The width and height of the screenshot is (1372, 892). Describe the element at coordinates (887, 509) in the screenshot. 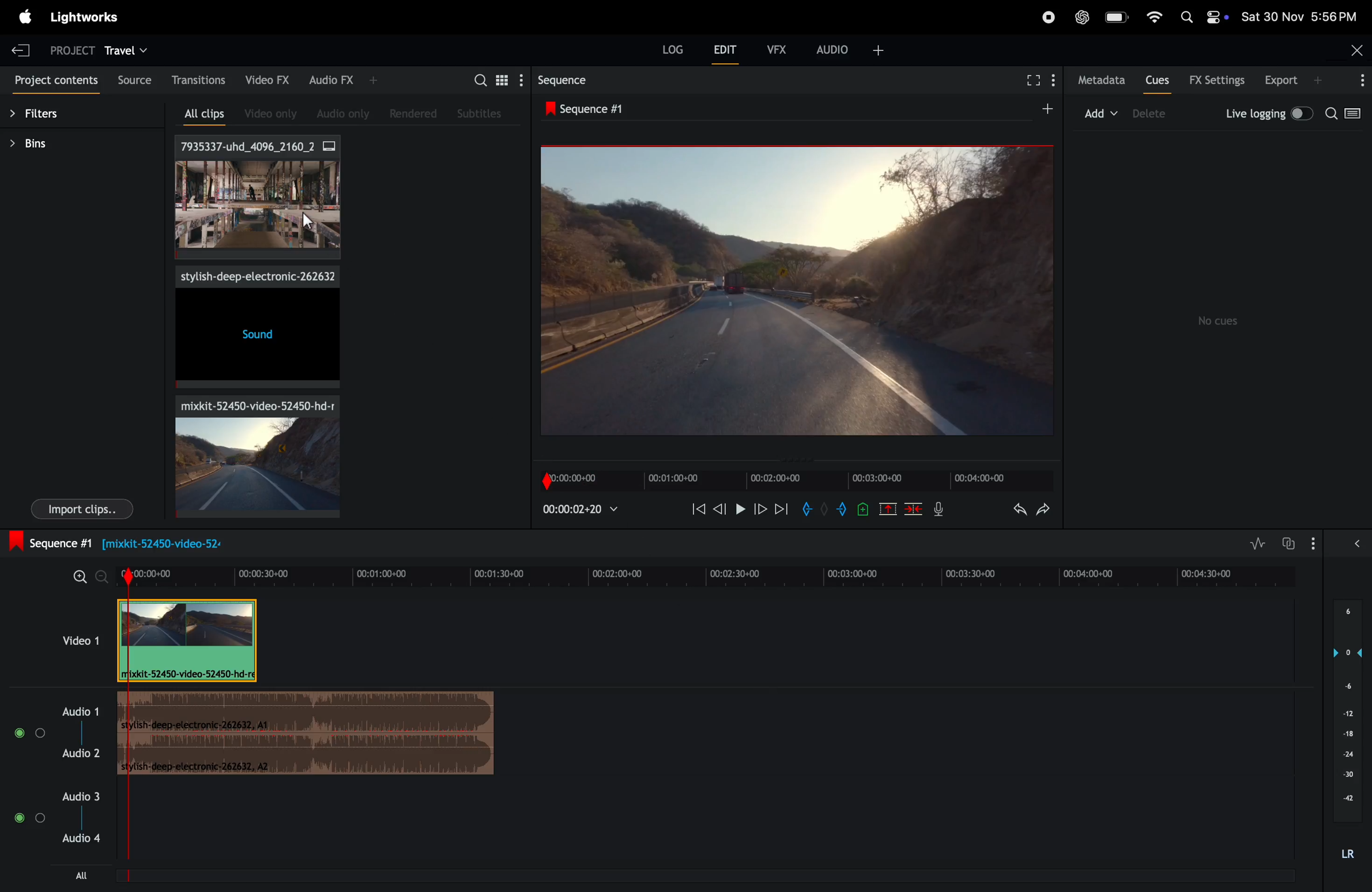

I see `cut` at that location.